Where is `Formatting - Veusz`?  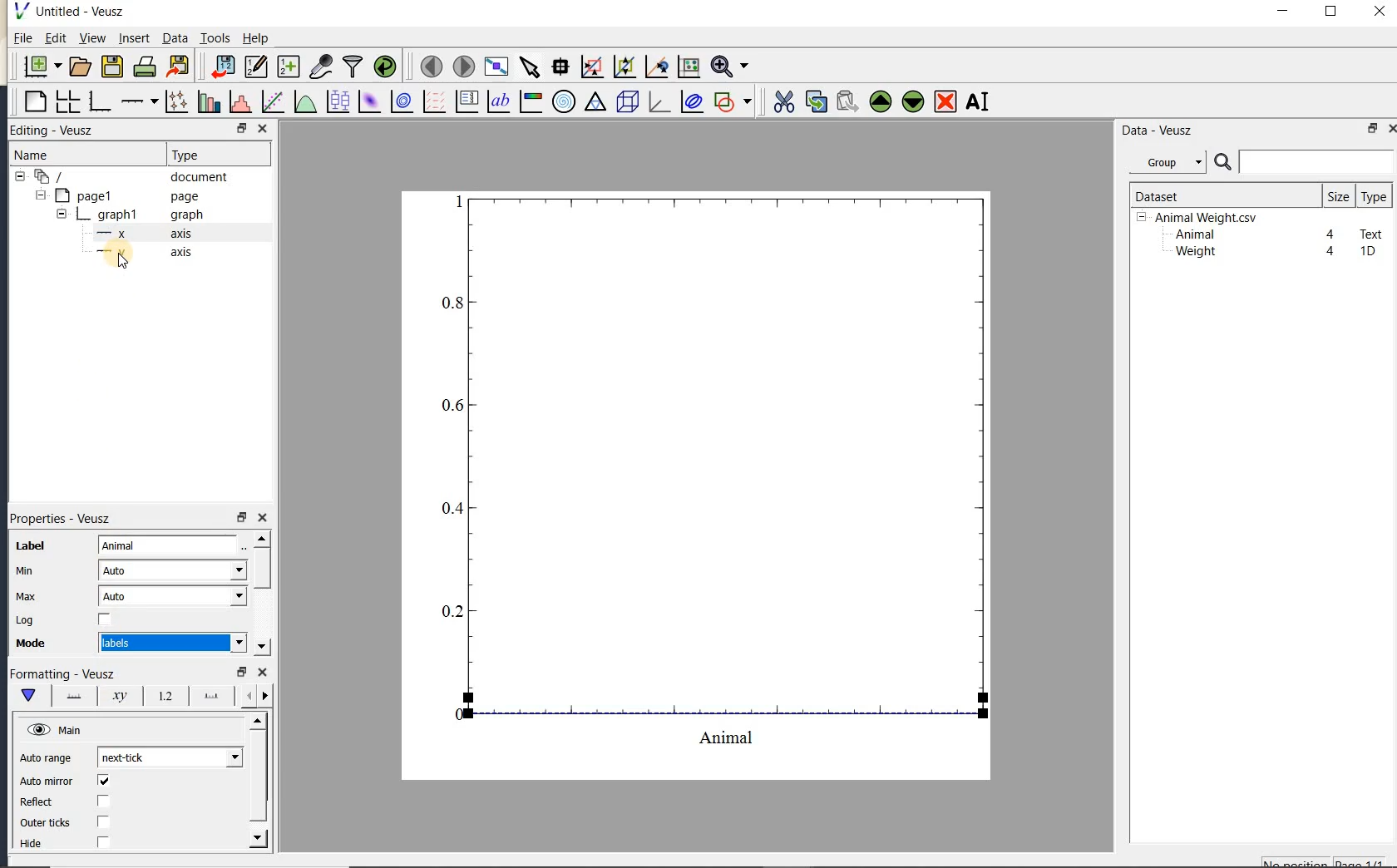 Formatting - Veusz is located at coordinates (62, 674).